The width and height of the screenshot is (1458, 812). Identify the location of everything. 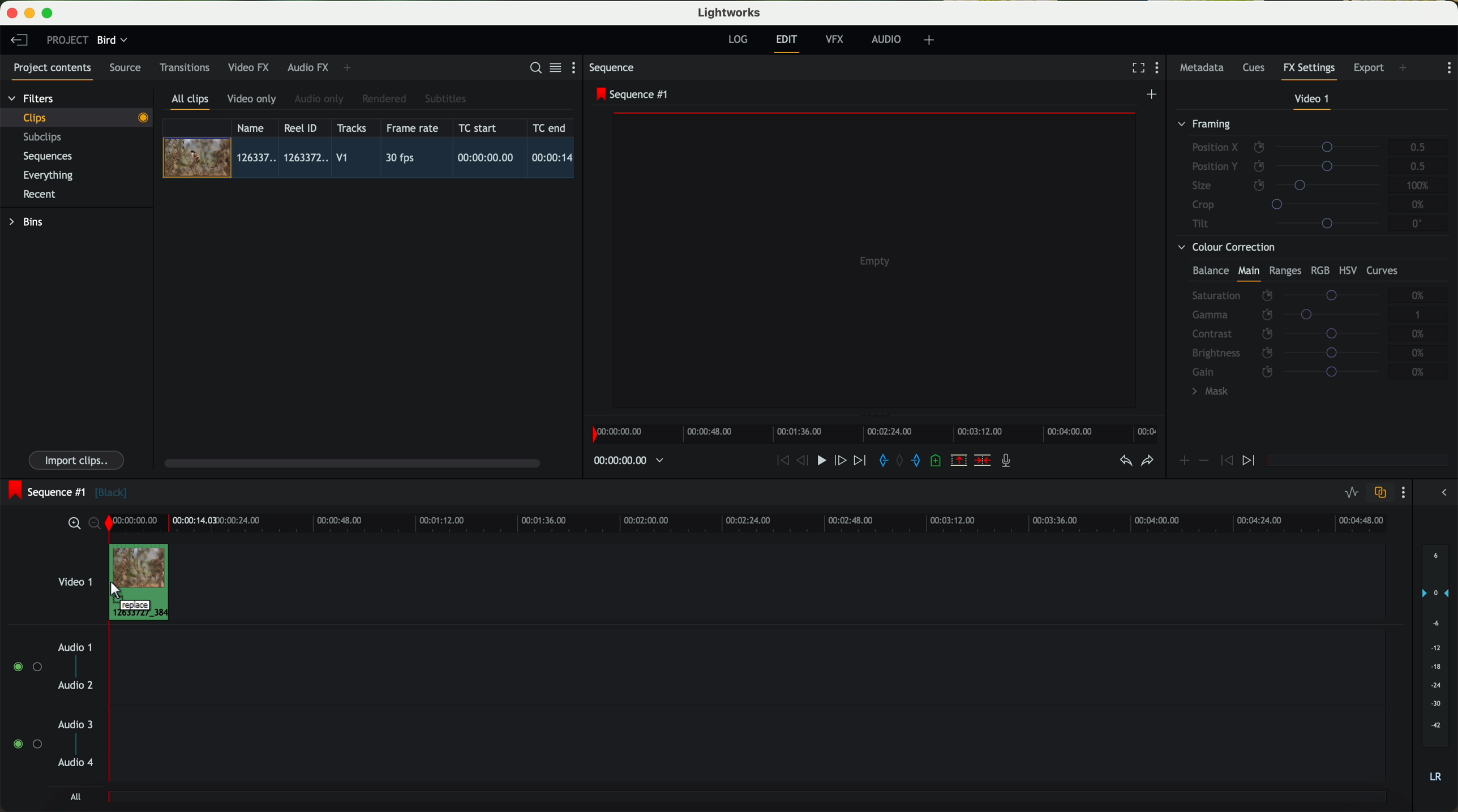
(49, 175).